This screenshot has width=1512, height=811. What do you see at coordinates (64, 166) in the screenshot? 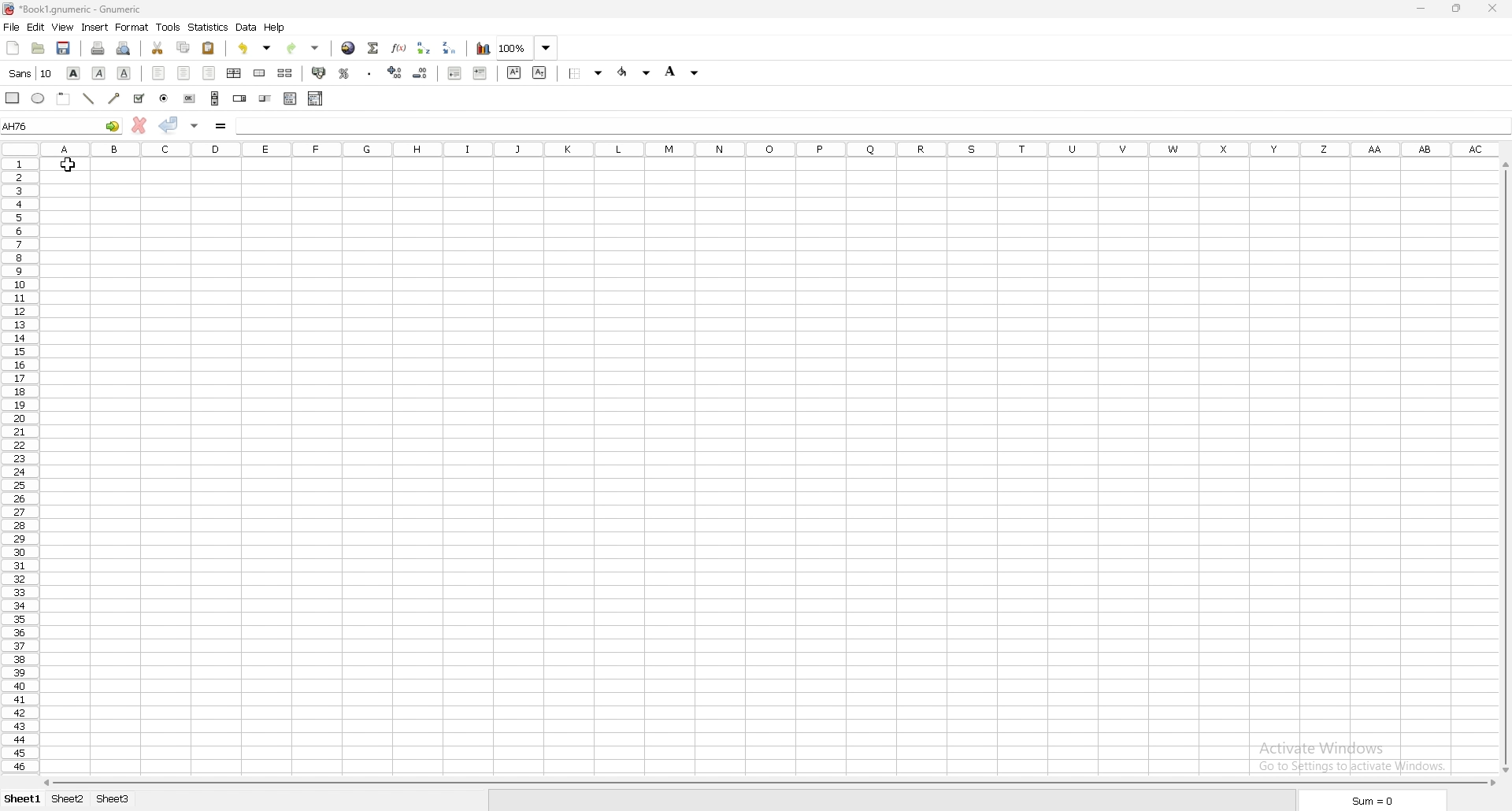
I see `cursor` at bounding box center [64, 166].